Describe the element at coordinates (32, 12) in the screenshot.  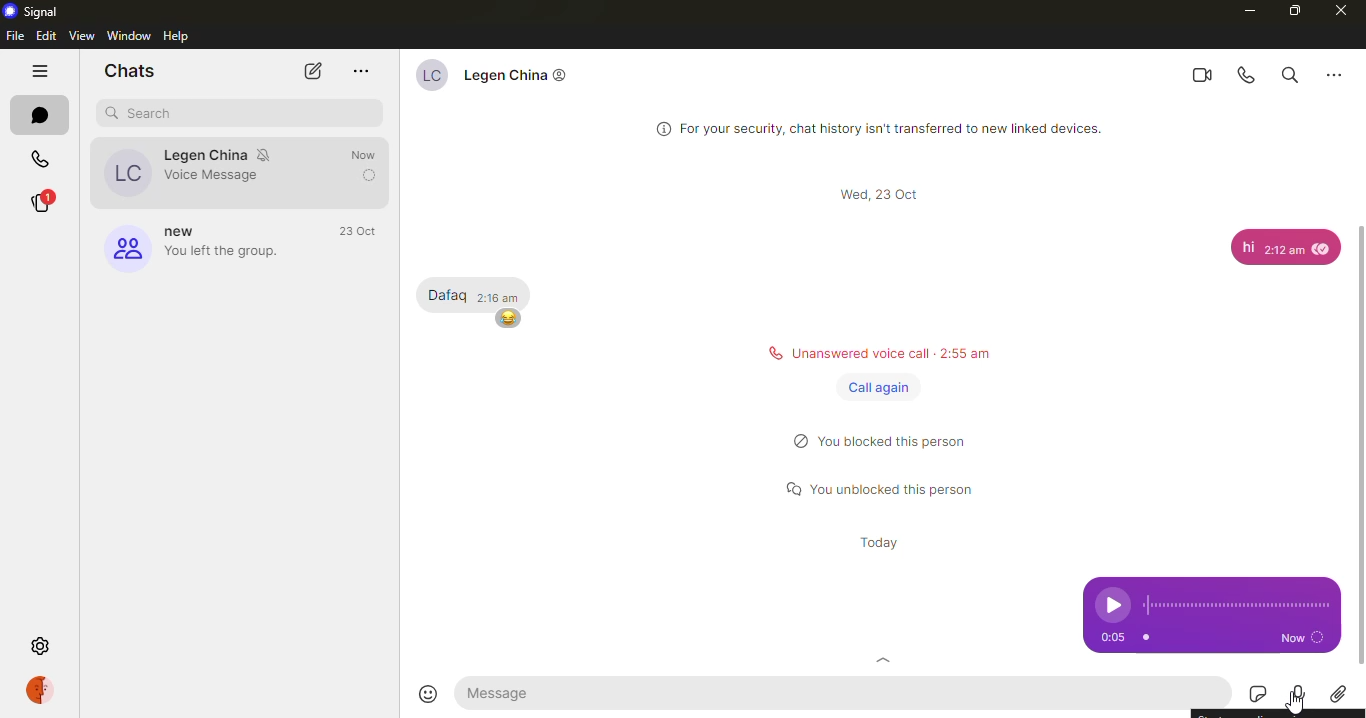
I see `signal` at that location.